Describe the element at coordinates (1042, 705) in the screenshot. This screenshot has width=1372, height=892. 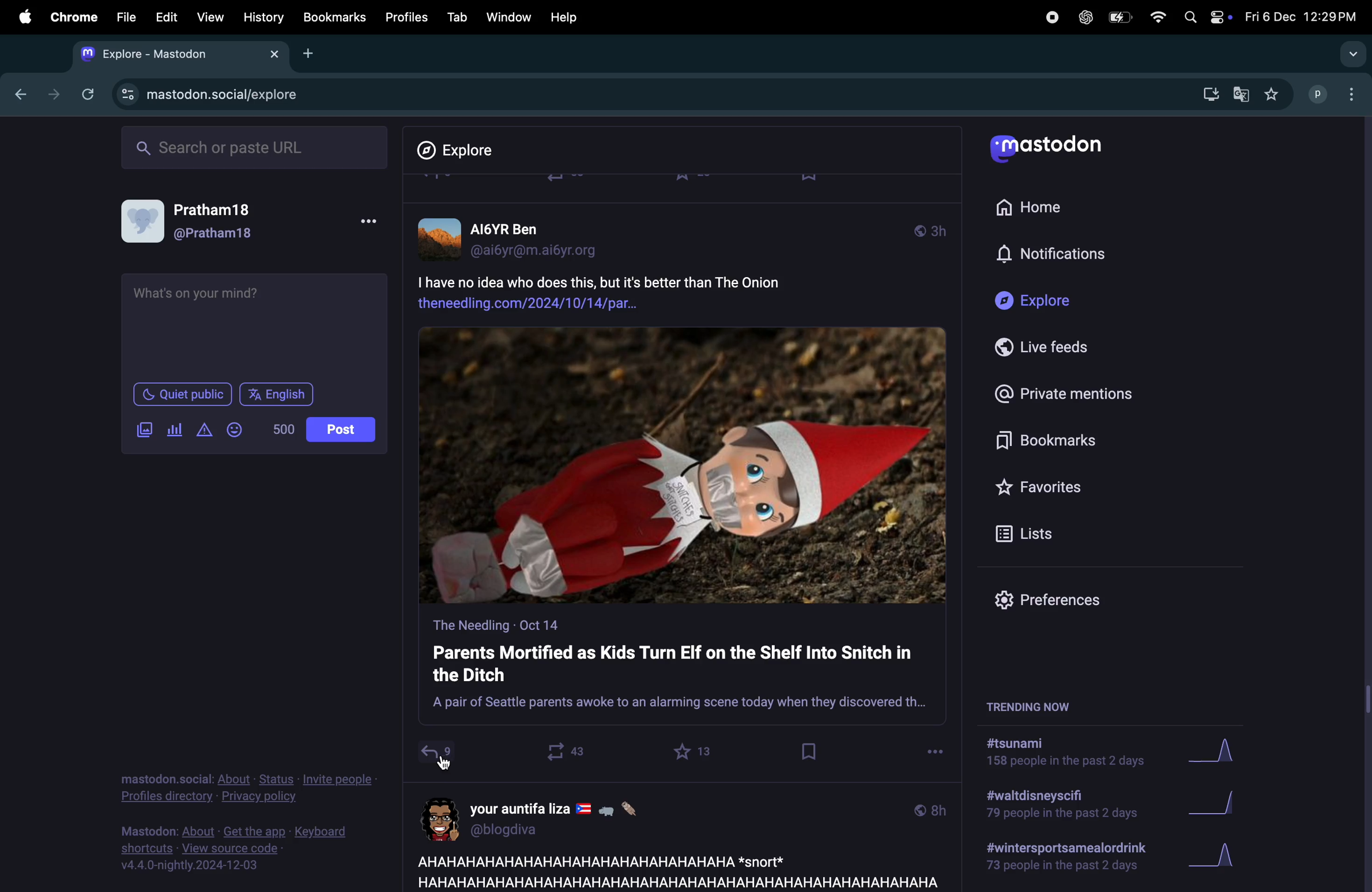
I see `trending now` at that location.